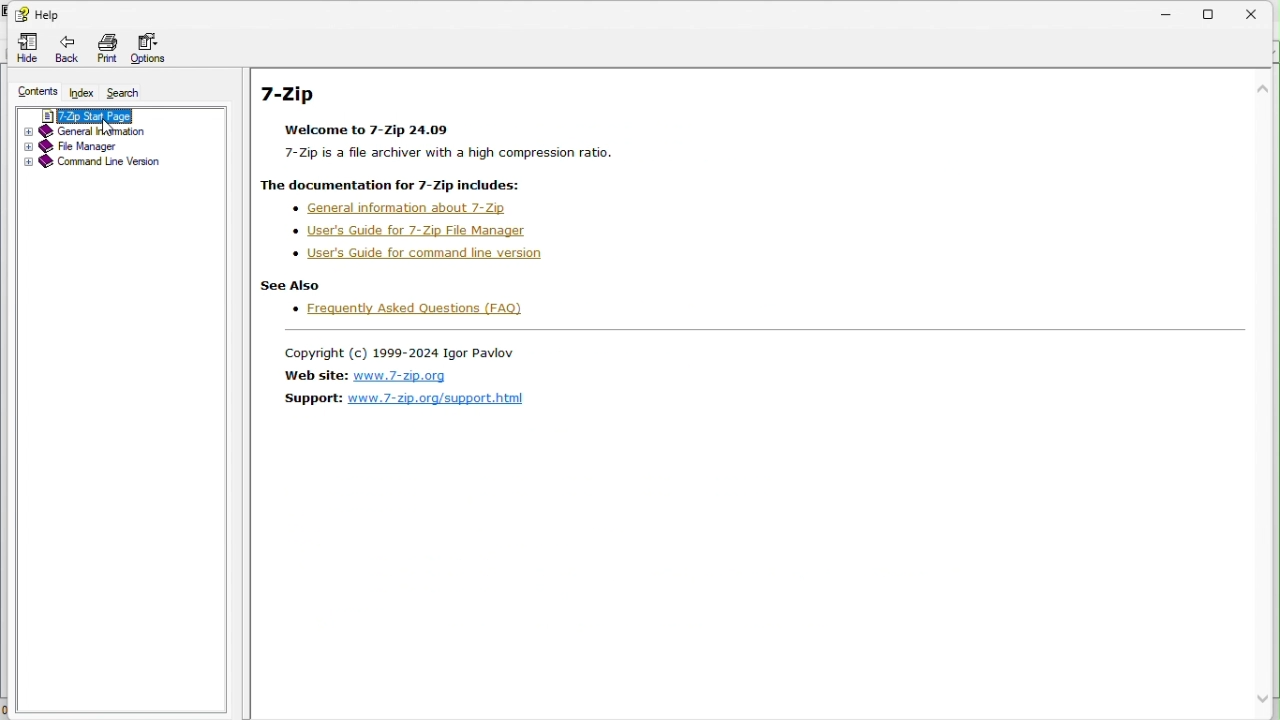 Image resolution: width=1280 pixels, height=720 pixels. I want to click on Command line version, so click(115, 164).